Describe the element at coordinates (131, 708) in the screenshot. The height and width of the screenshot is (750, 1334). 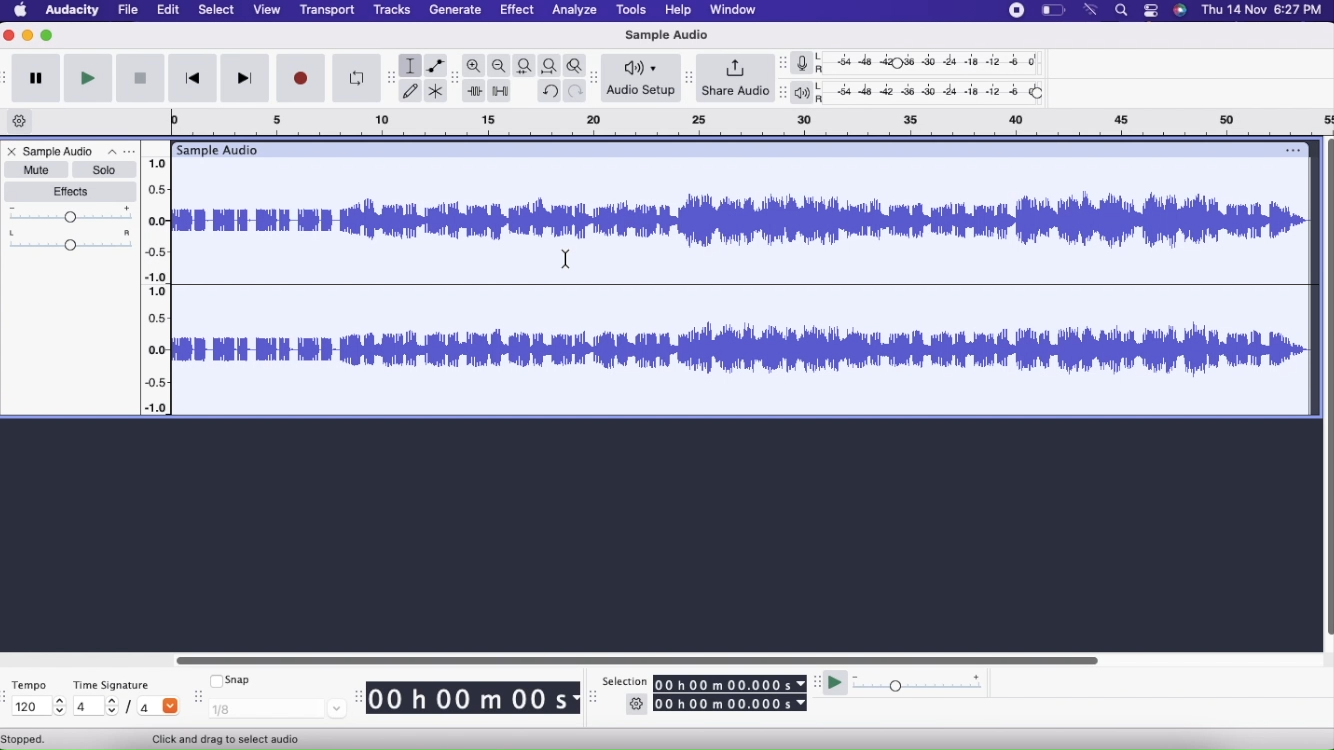
I see `/` at that location.